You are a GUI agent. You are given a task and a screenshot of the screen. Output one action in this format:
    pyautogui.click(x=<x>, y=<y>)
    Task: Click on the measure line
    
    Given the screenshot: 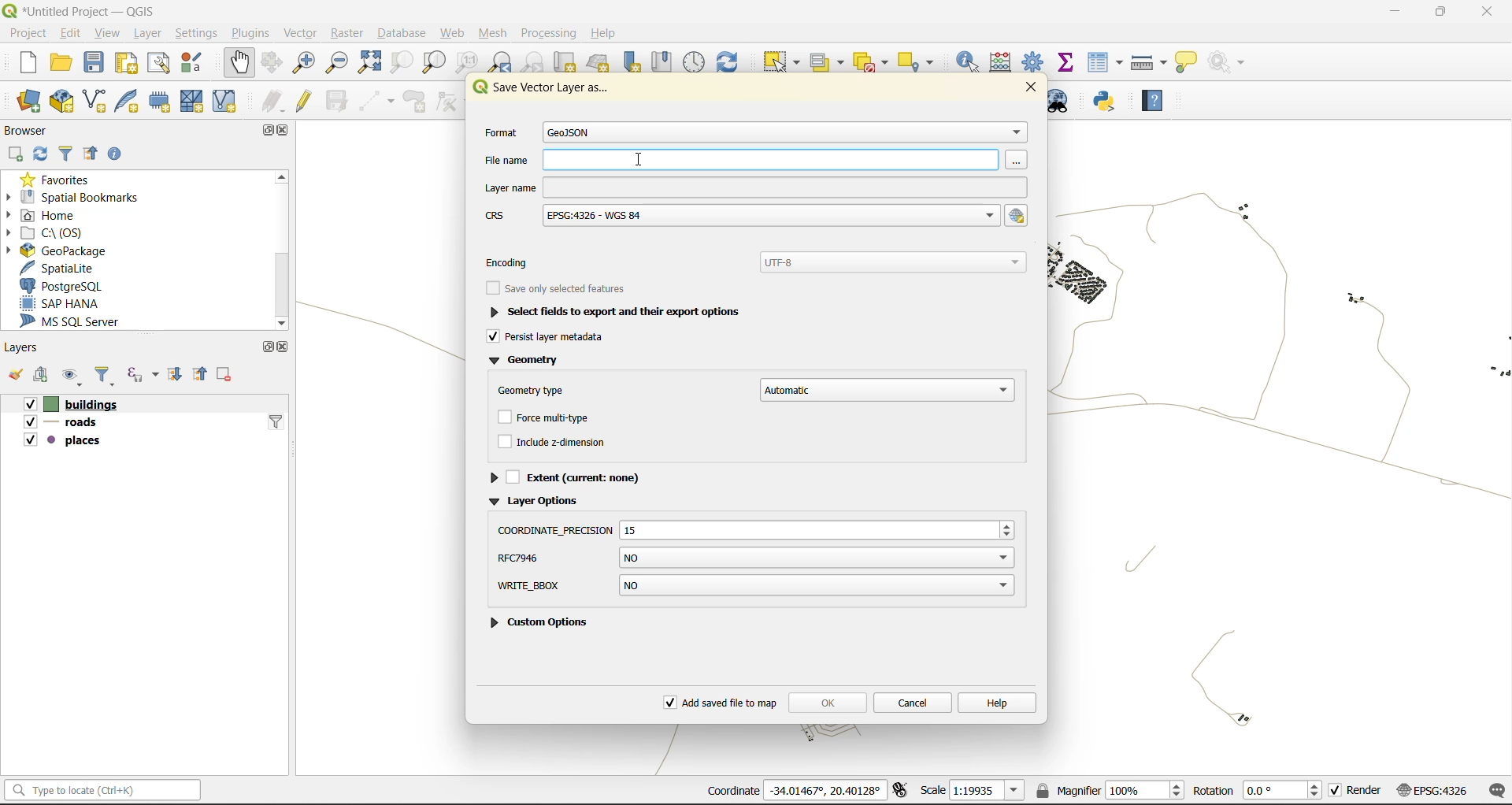 What is the action you would take?
    pyautogui.click(x=1148, y=65)
    